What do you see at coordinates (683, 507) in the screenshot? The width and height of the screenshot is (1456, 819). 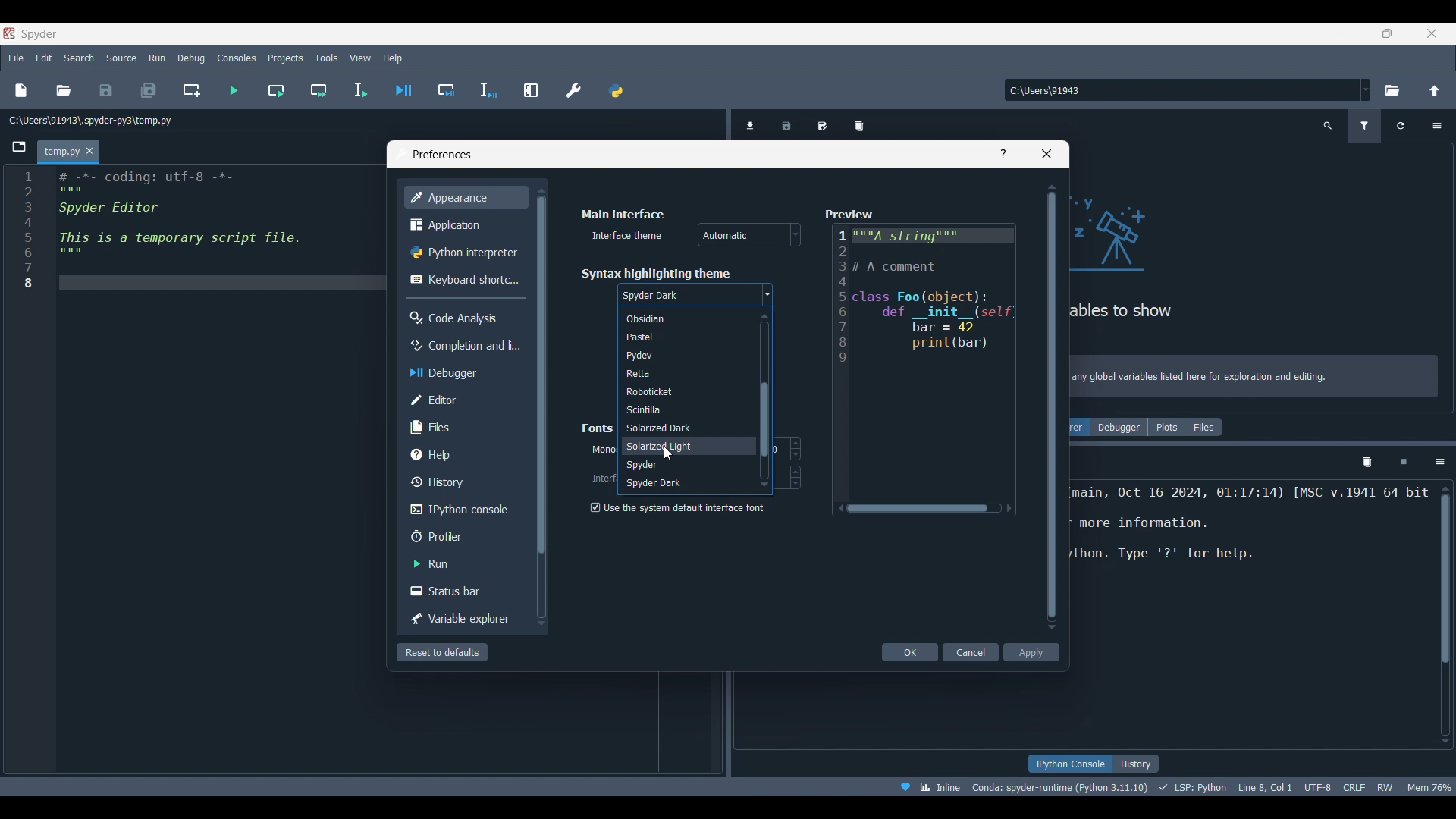 I see `Toggle for system default font` at bounding box center [683, 507].